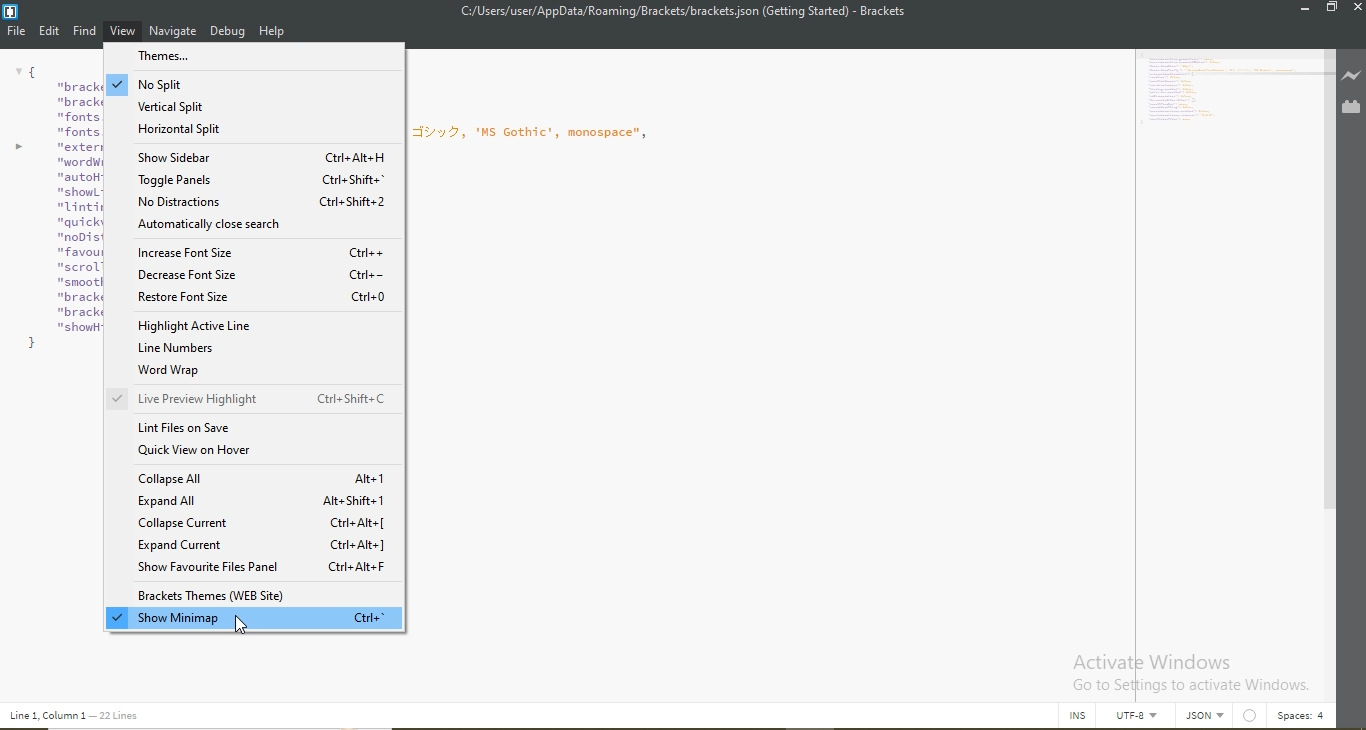 The image size is (1366, 730). What do you see at coordinates (123, 33) in the screenshot?
I see `View` at bounding box center [123, 33].